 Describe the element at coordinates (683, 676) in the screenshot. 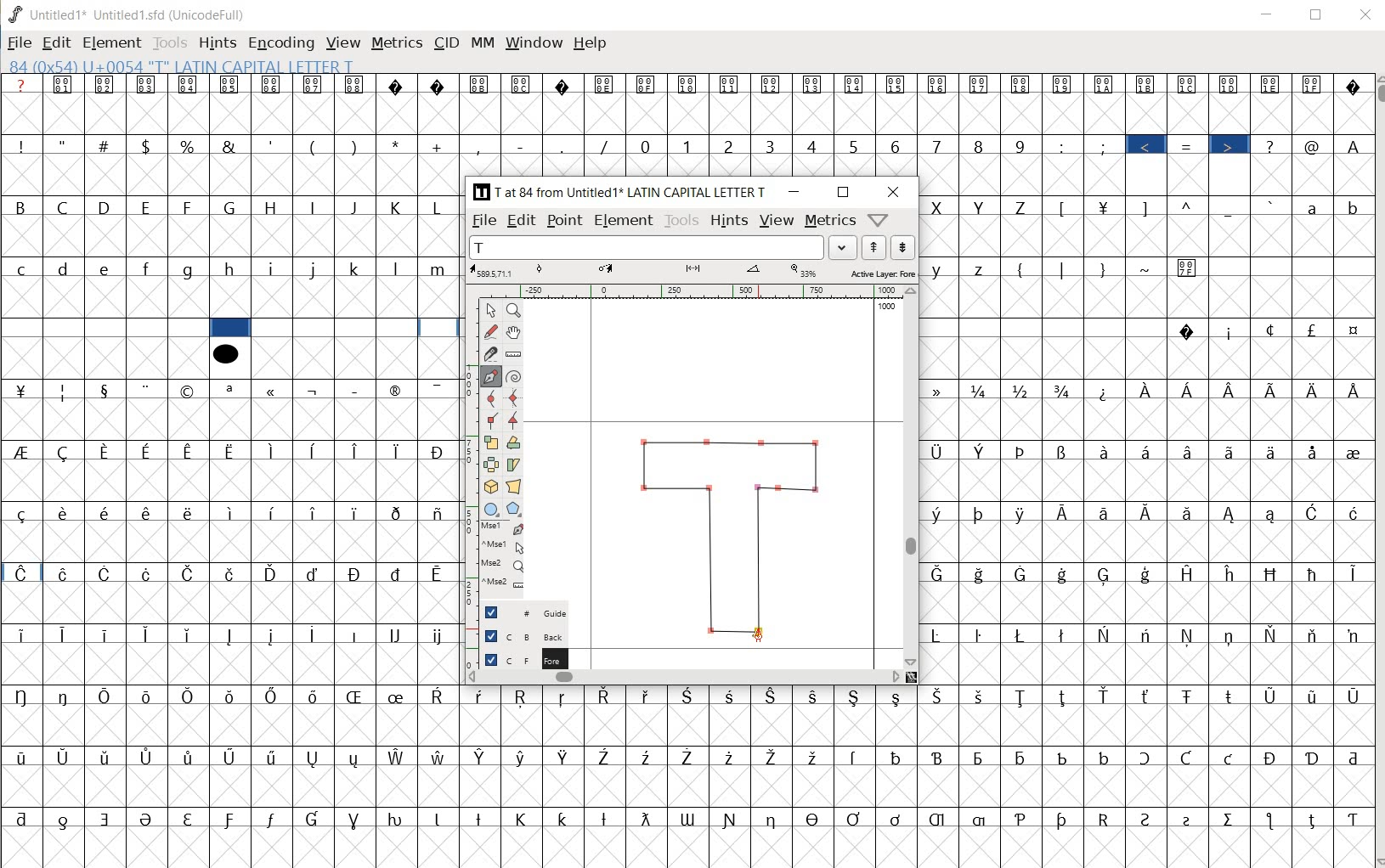

I see `srollbar` at that location.